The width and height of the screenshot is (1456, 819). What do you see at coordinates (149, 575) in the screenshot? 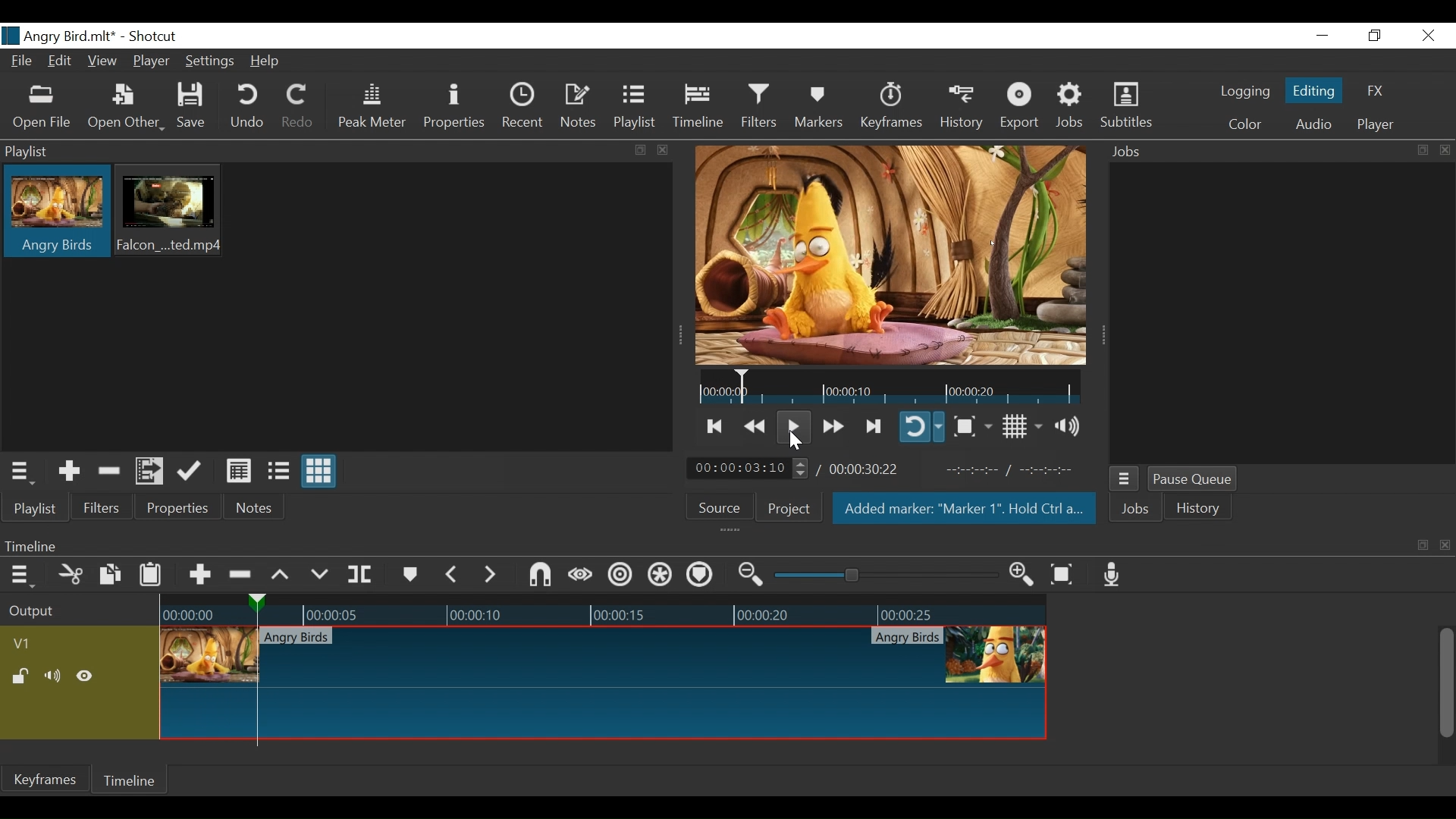
I see `Paste` at bounding box center [149, 575].